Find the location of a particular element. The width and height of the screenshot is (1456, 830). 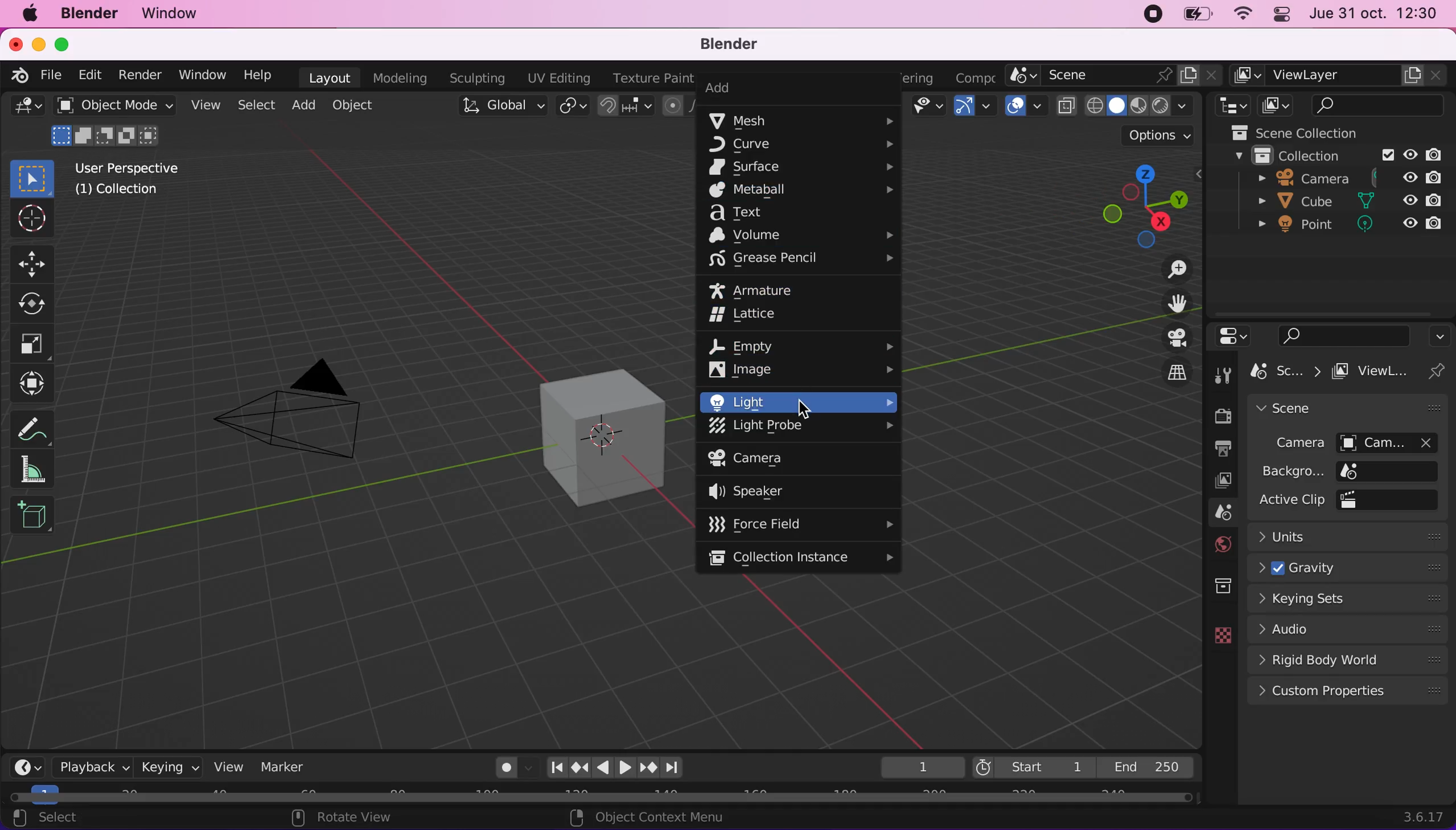

hide in viewpoint is located at coordinates (1408, 225).